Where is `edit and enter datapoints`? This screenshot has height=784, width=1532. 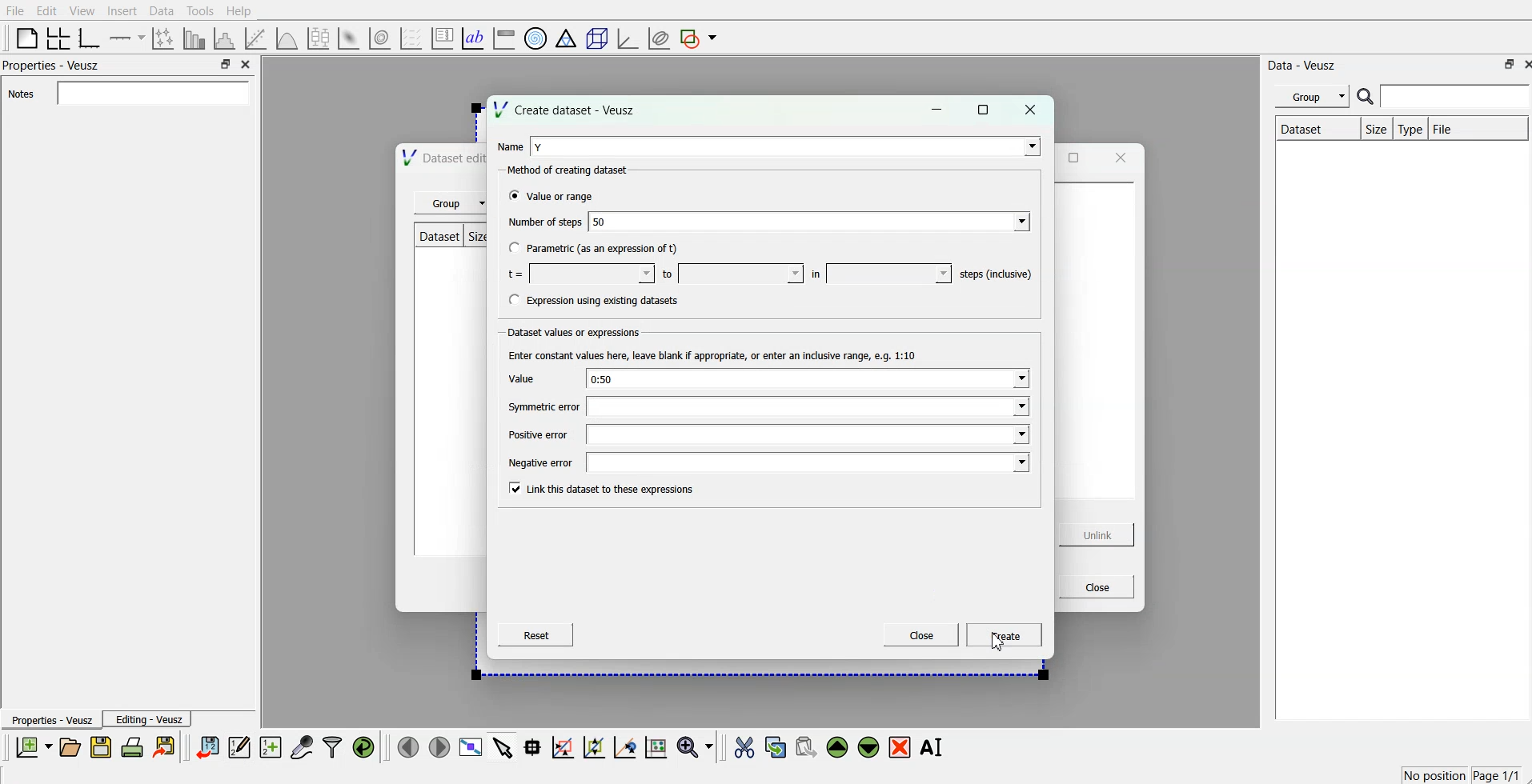 edit and enter datapoints is located at coordinates (240, 748).